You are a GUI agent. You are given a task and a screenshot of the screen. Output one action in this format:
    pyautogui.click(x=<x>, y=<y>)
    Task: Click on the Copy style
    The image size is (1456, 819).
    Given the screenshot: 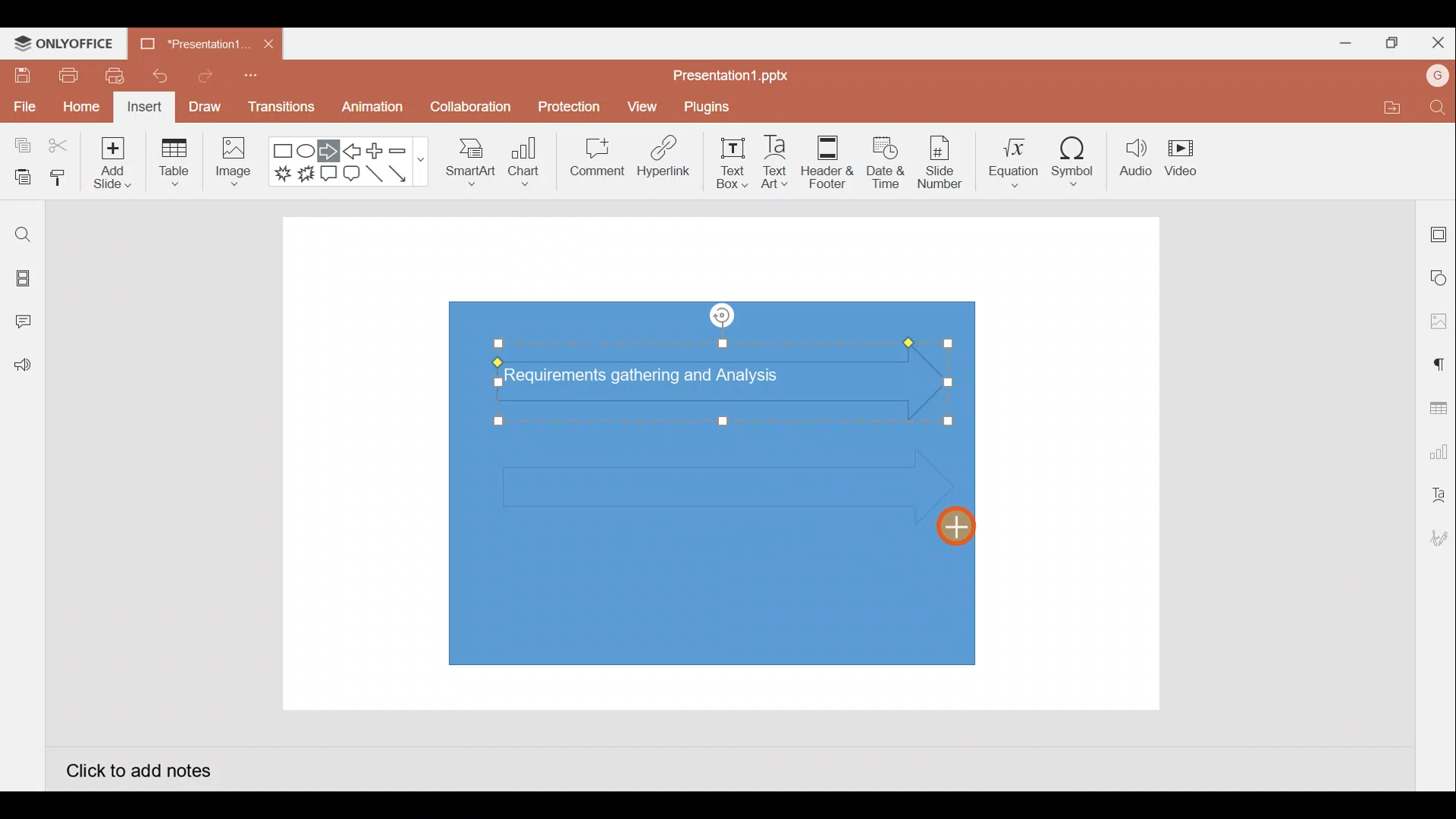 What is the action you would take?
    pyautogui.click(x=59, y=180)
    